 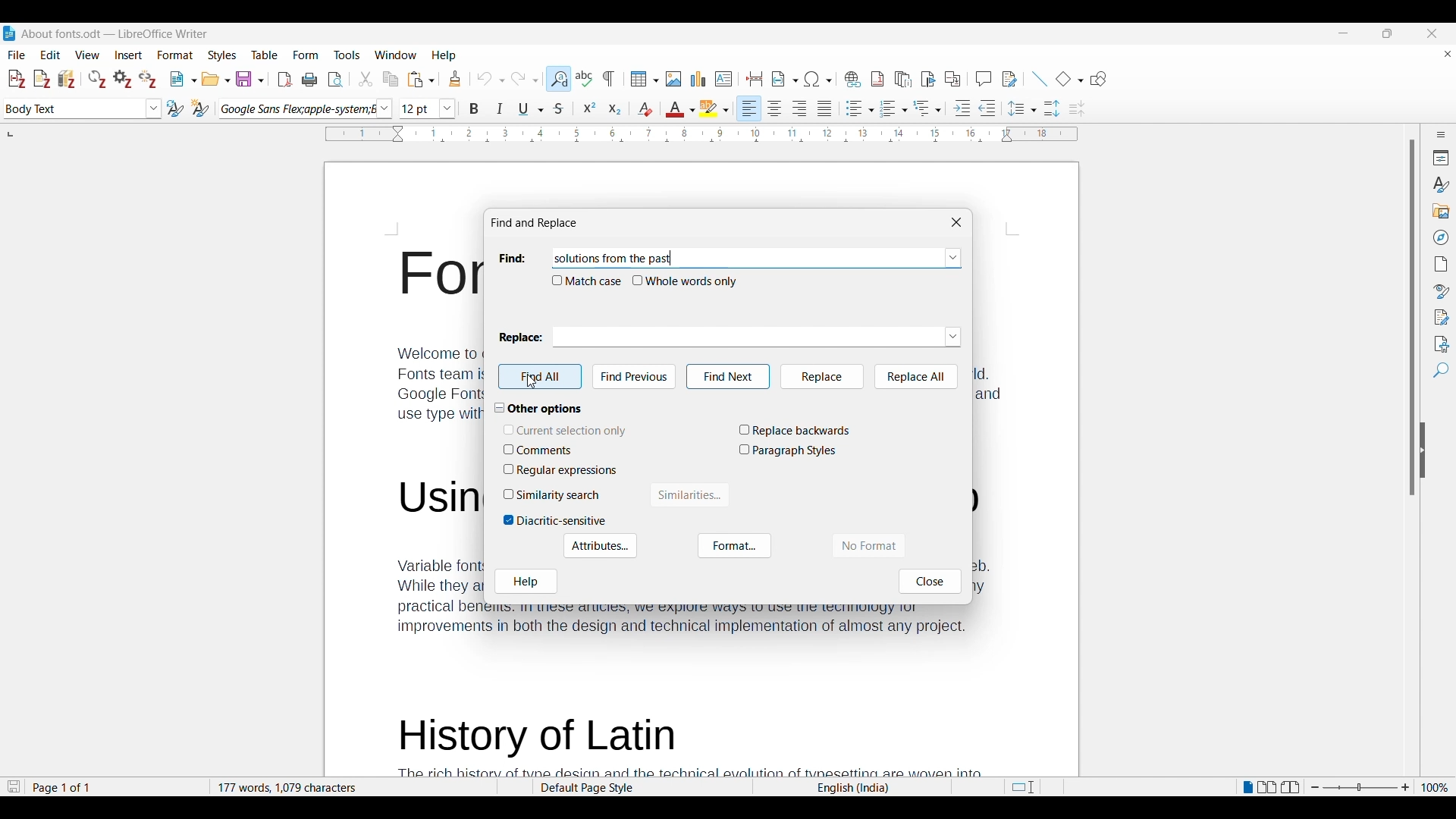 What do you see at coordinates (526, 582) in the screenshot?
I see `Help` at bounding box center [526, 582].